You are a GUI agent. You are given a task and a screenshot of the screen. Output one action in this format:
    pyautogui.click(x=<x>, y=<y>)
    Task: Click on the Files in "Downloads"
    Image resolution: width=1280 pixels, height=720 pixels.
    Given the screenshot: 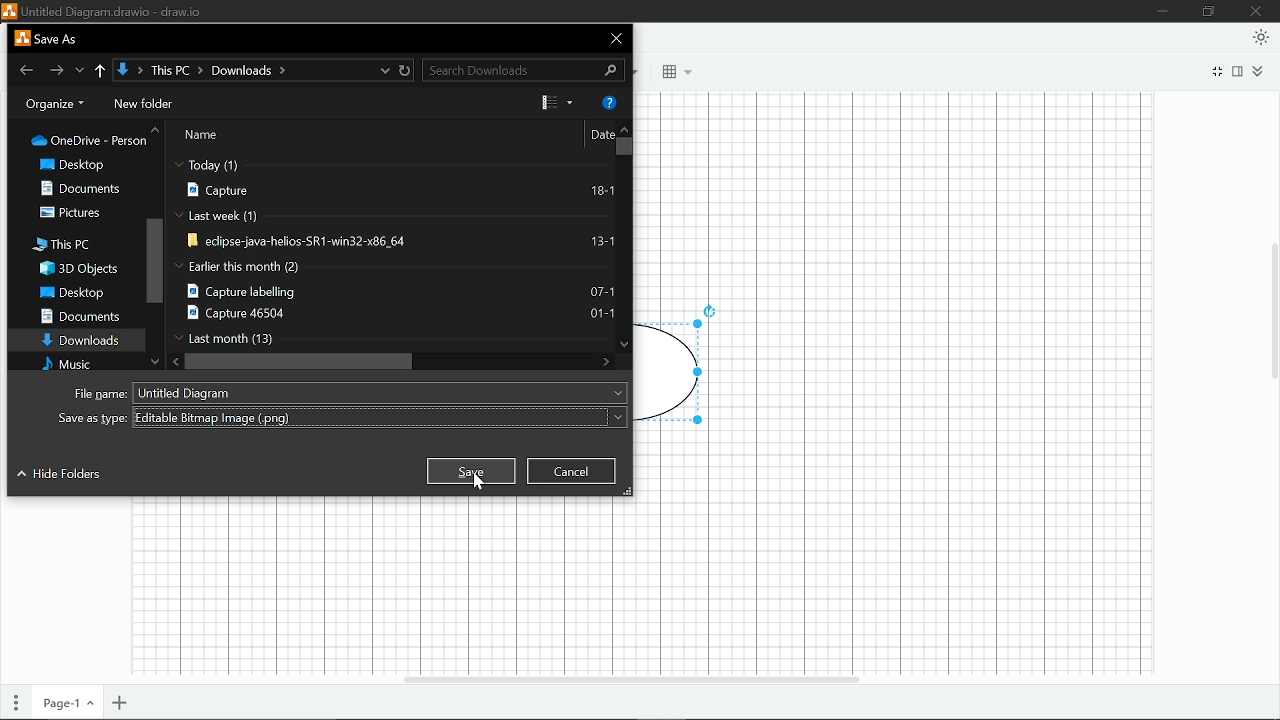 What is the action you would take?
    pyautogui.click(x=392, y=253)
    